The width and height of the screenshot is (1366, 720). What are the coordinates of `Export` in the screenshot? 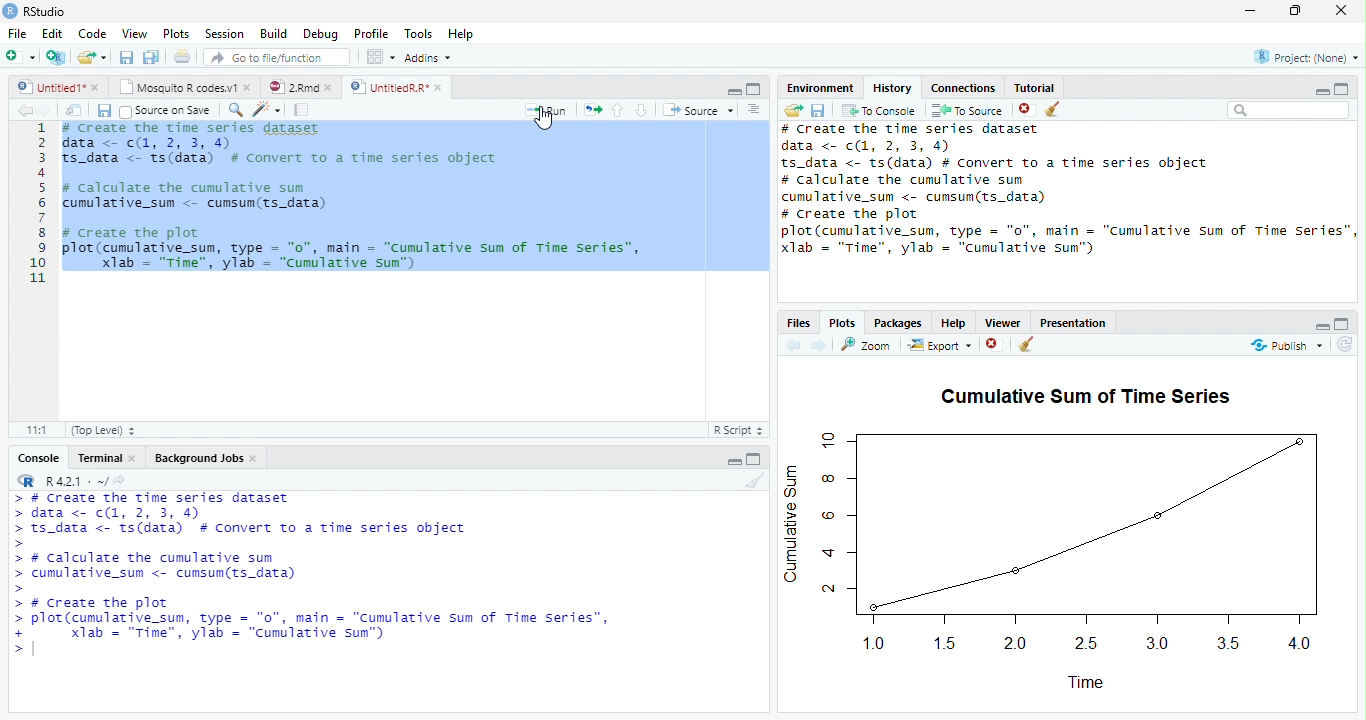 It's located at (939, 347).